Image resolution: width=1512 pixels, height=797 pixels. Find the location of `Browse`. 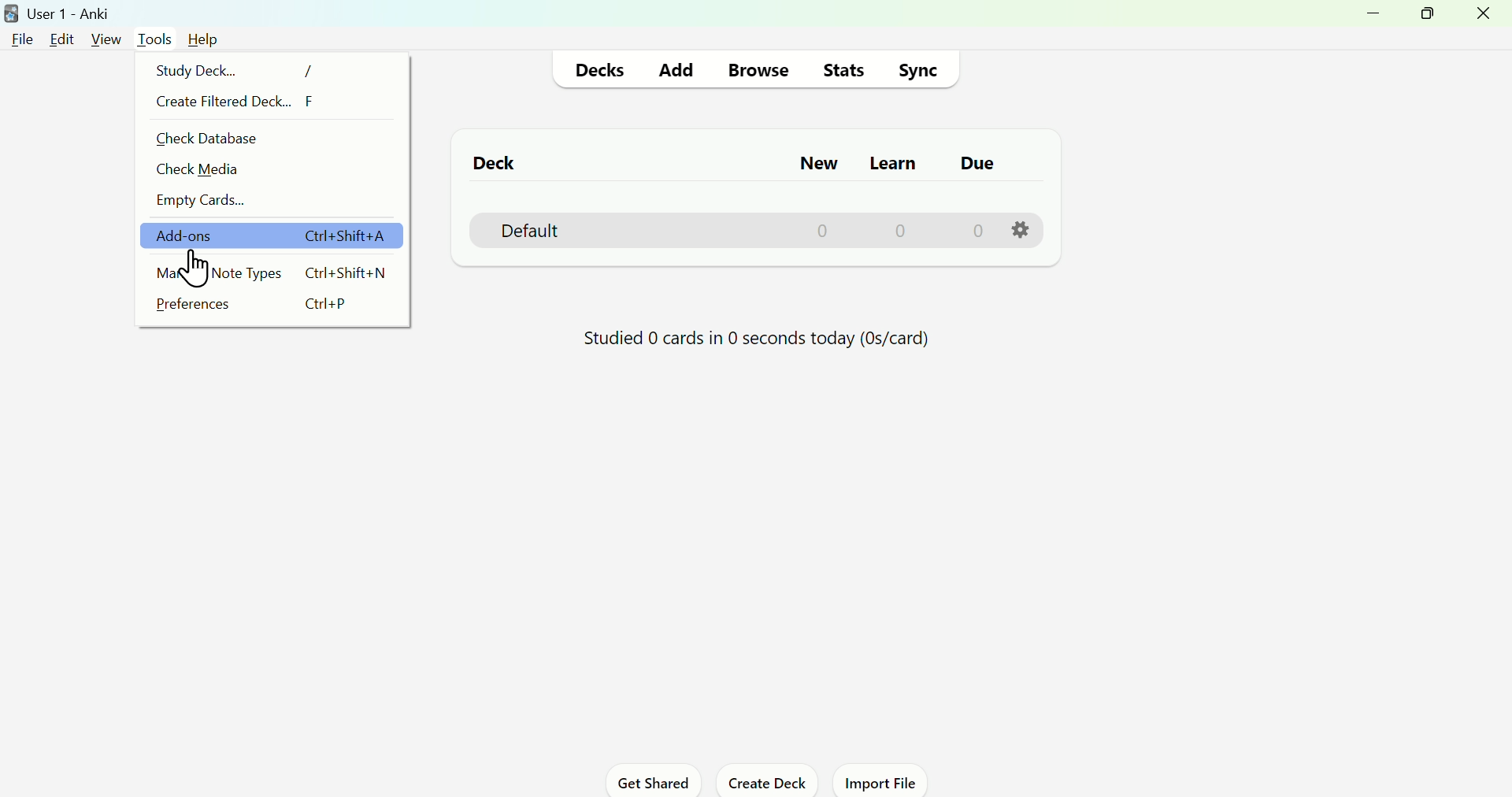

Browse is located at coordinates (758, 71).